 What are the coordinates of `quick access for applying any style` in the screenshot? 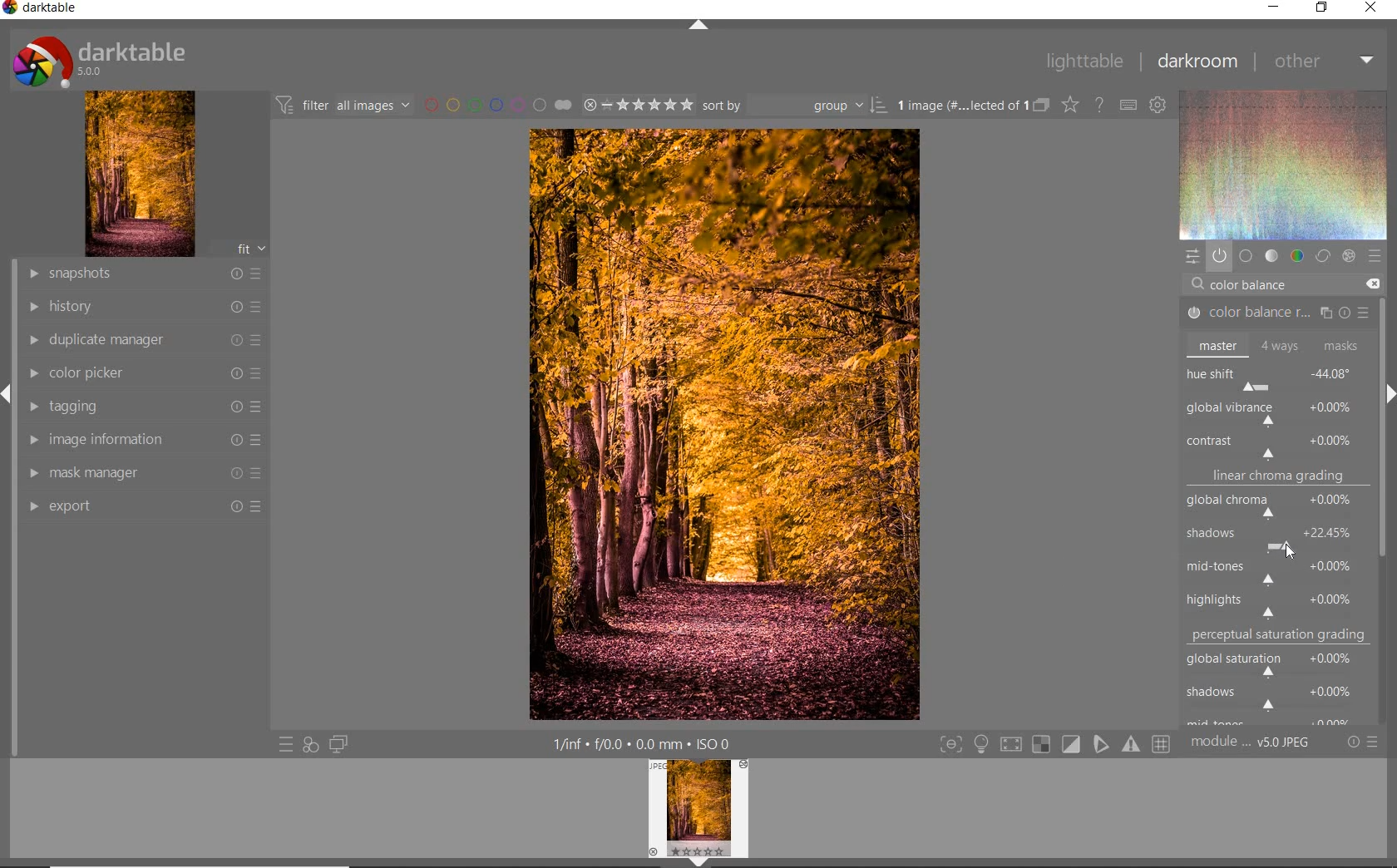 It's located at (311, 745).